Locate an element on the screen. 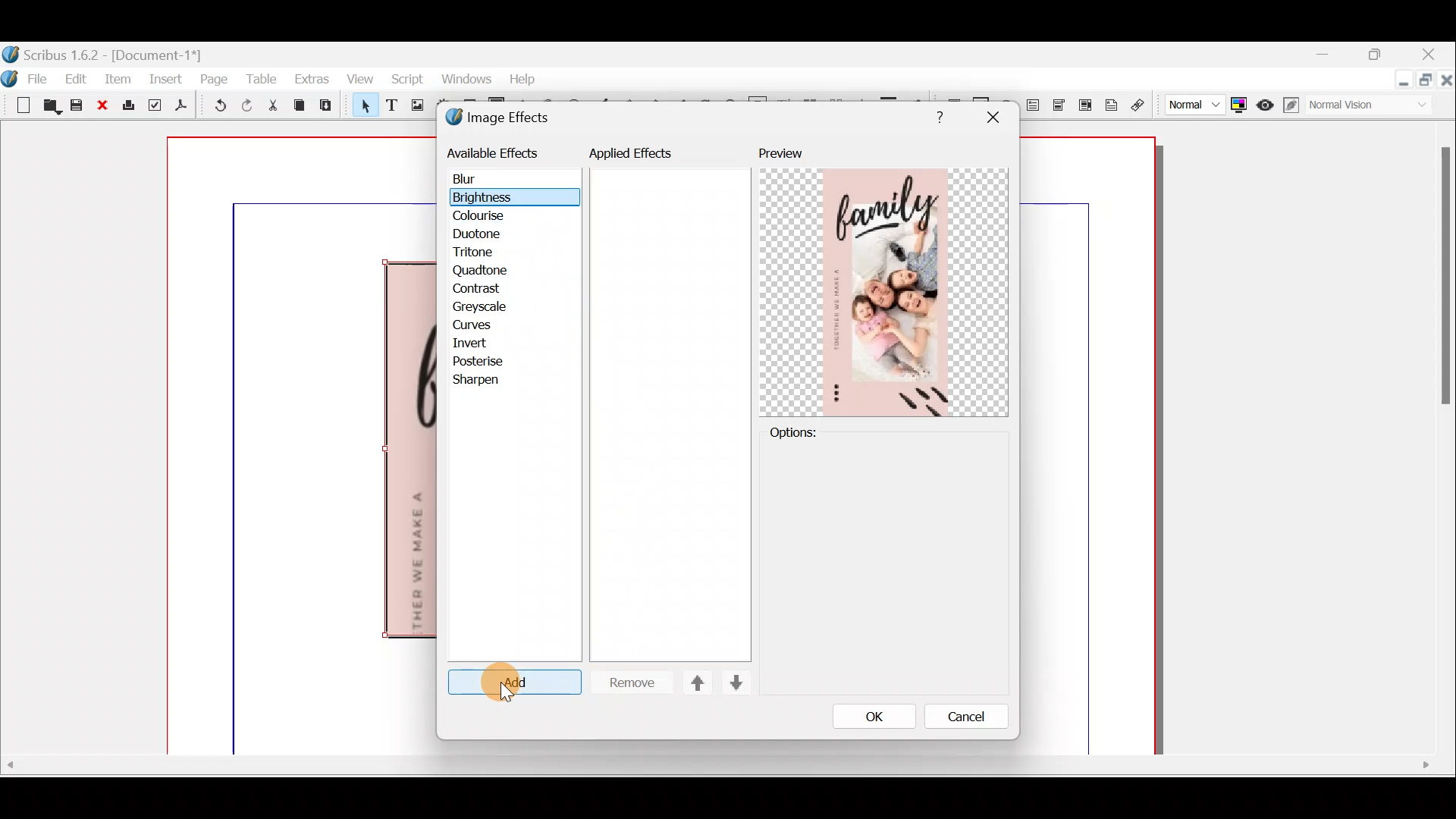 The width and height of the screenshot is (1456, 819). cursor is located at coordinates (509, 694).